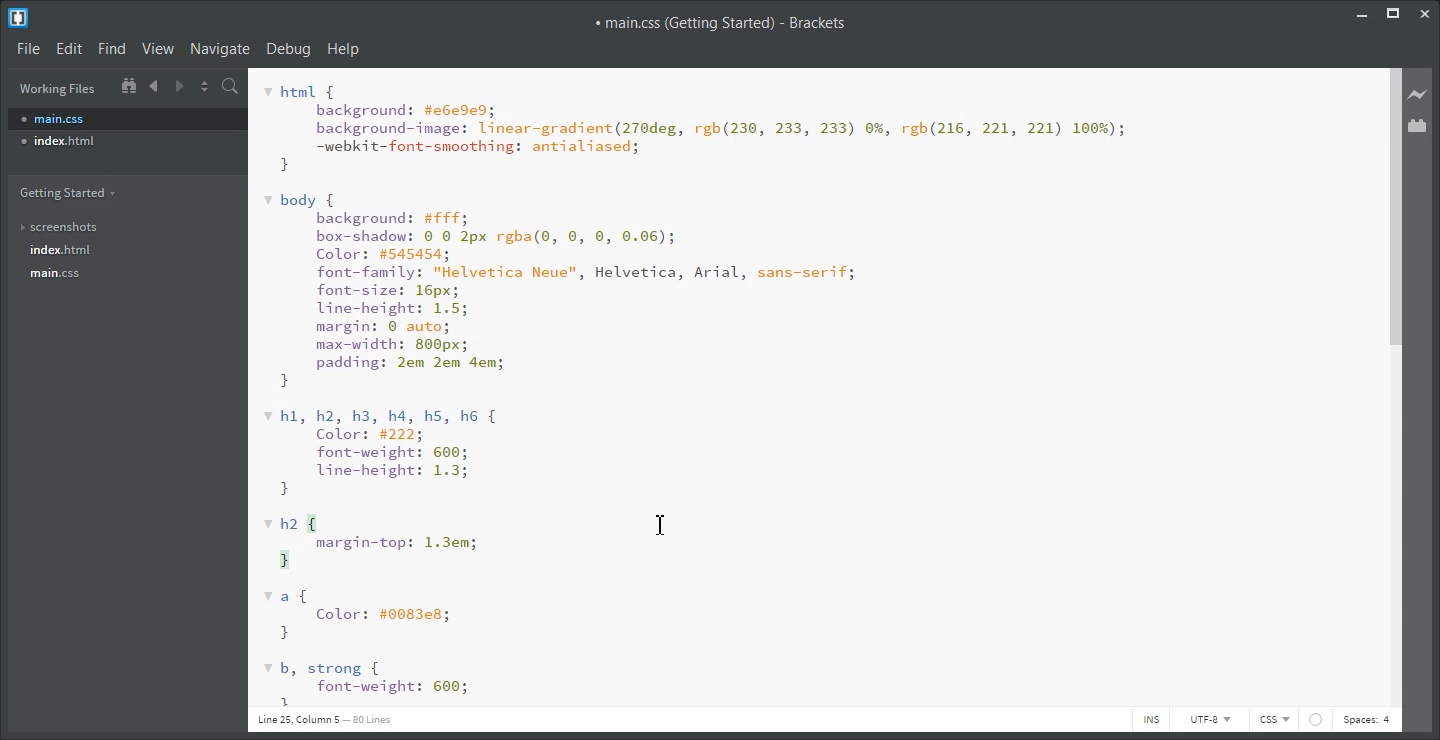  What do you see at coordinates (1150, 719) in the screenshot?
I see `INS` at bounding box center [1150, 719].